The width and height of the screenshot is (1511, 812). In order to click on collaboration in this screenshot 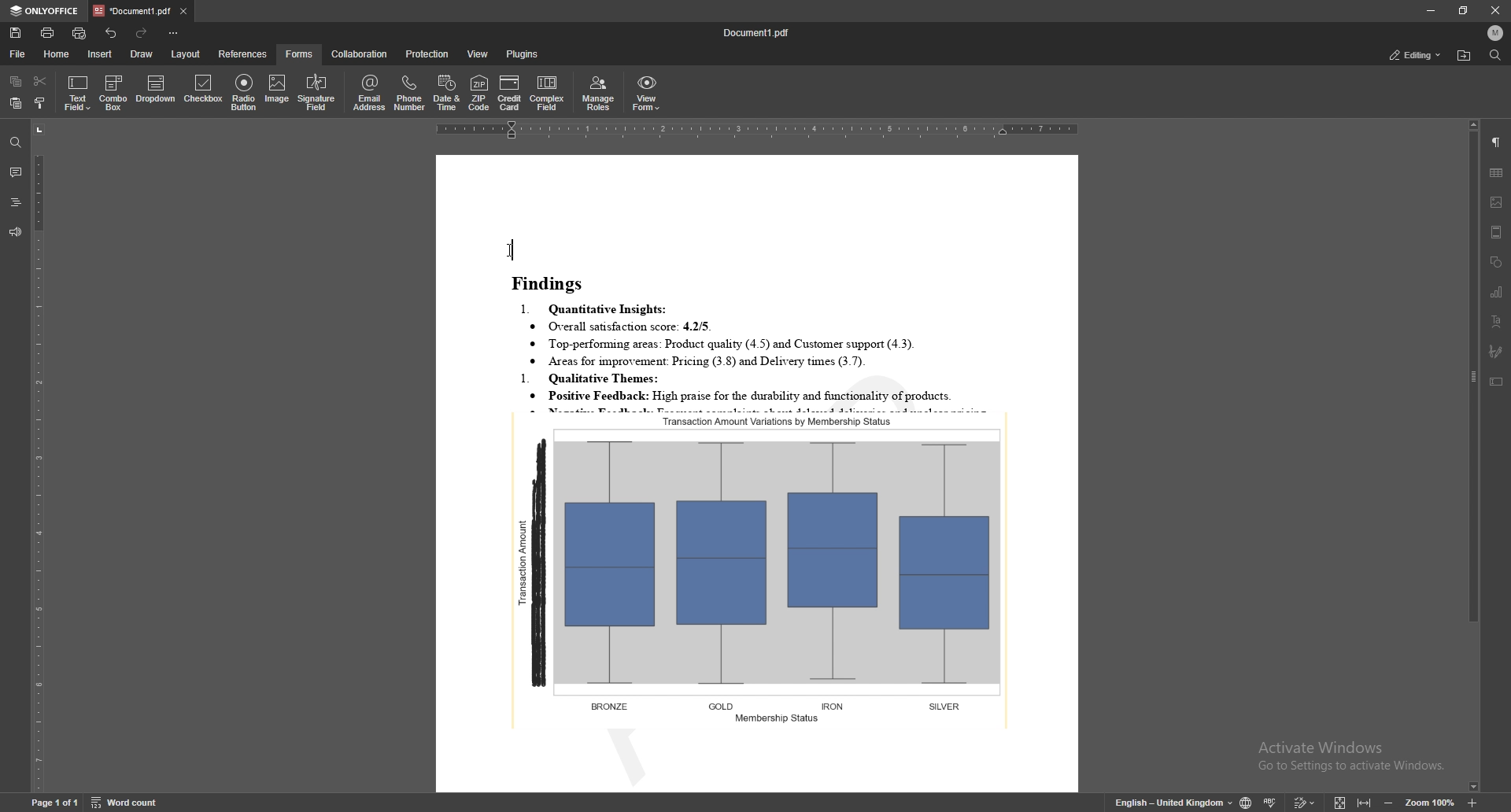, I will do `click(361, 53)`.